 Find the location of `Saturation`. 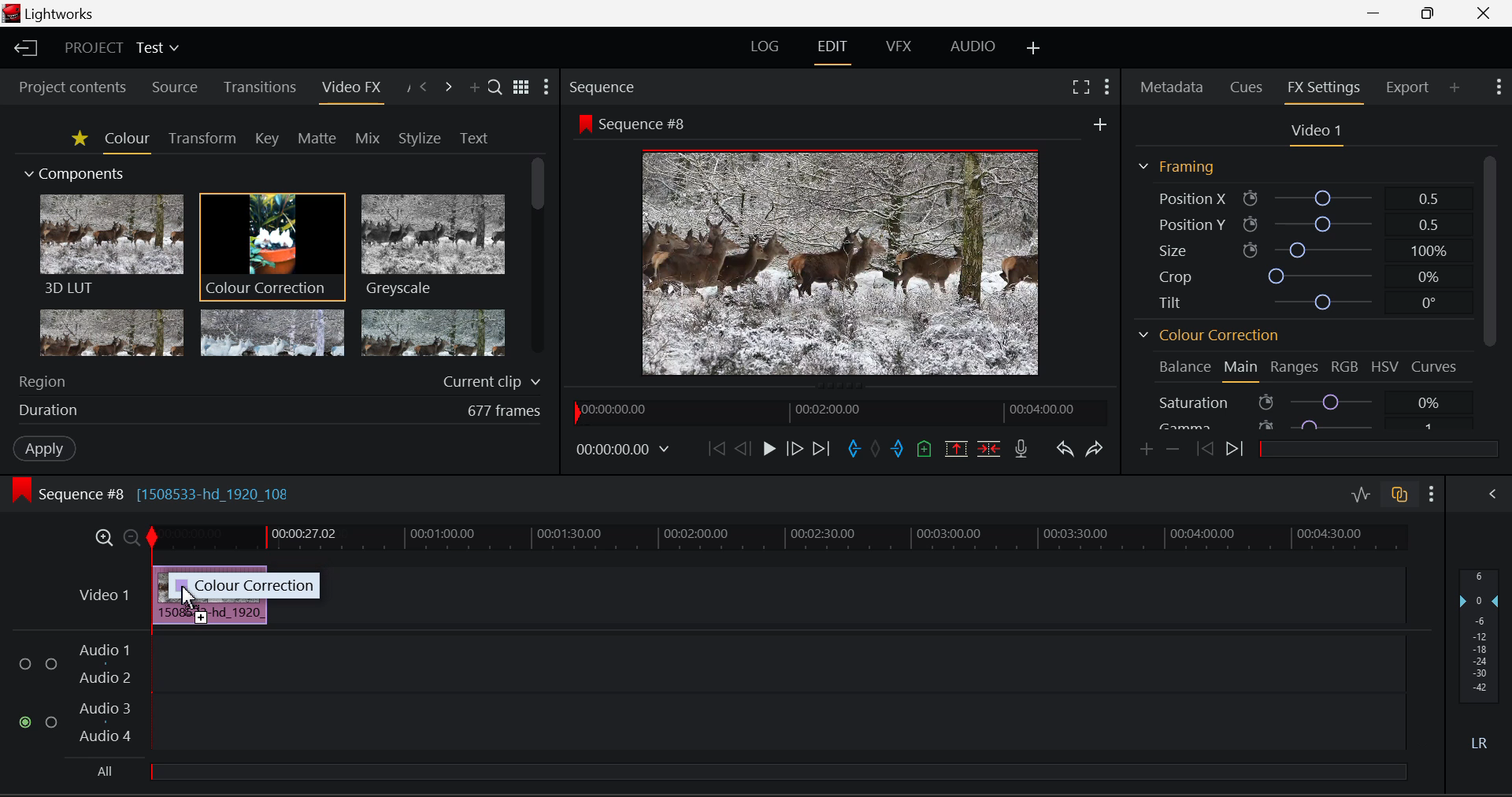

Saturation is located at coordinates (1298, 400).